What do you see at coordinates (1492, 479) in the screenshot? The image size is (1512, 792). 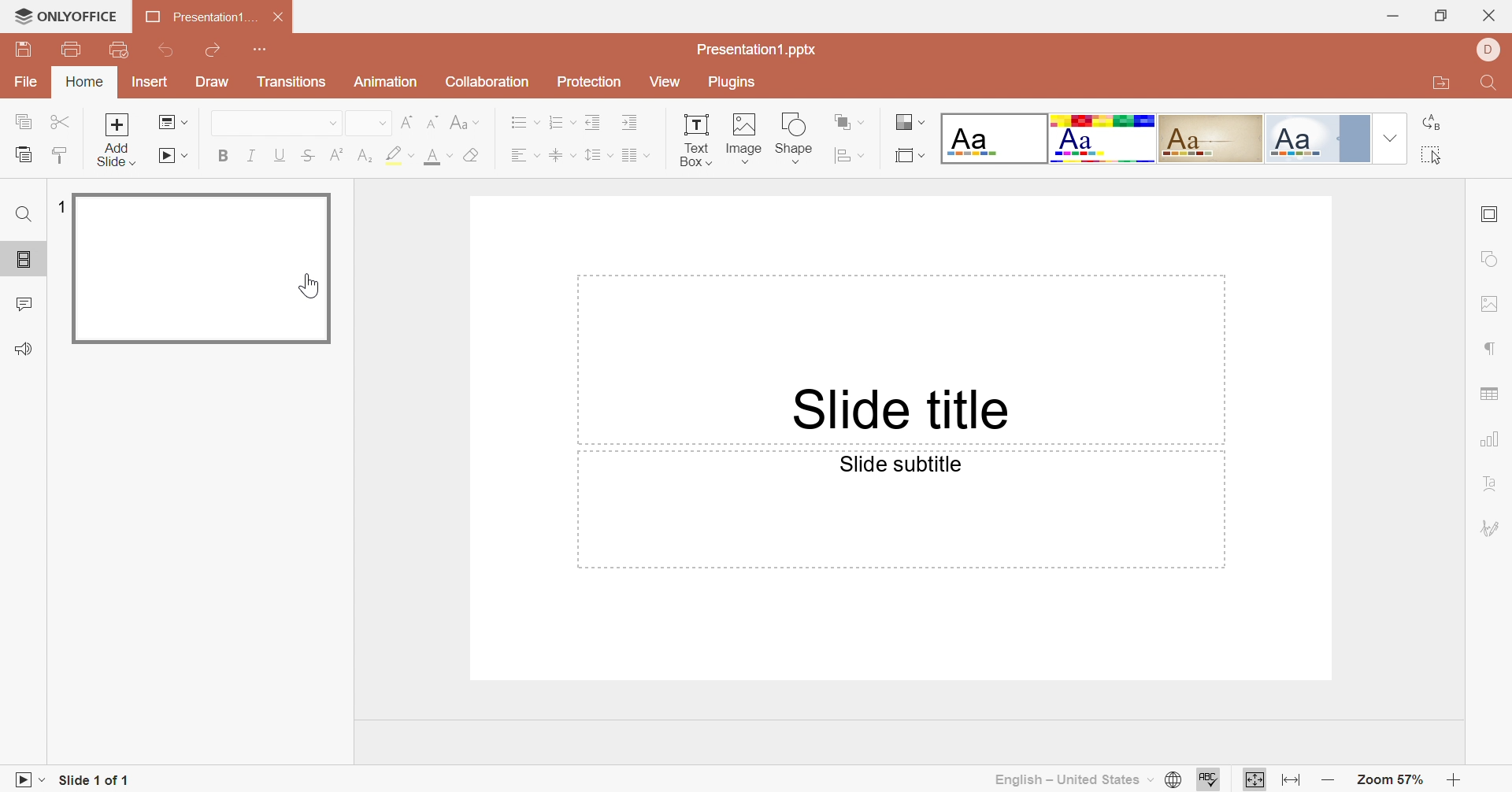 I see `Text Art settings` at bounding box center [1492, 479].